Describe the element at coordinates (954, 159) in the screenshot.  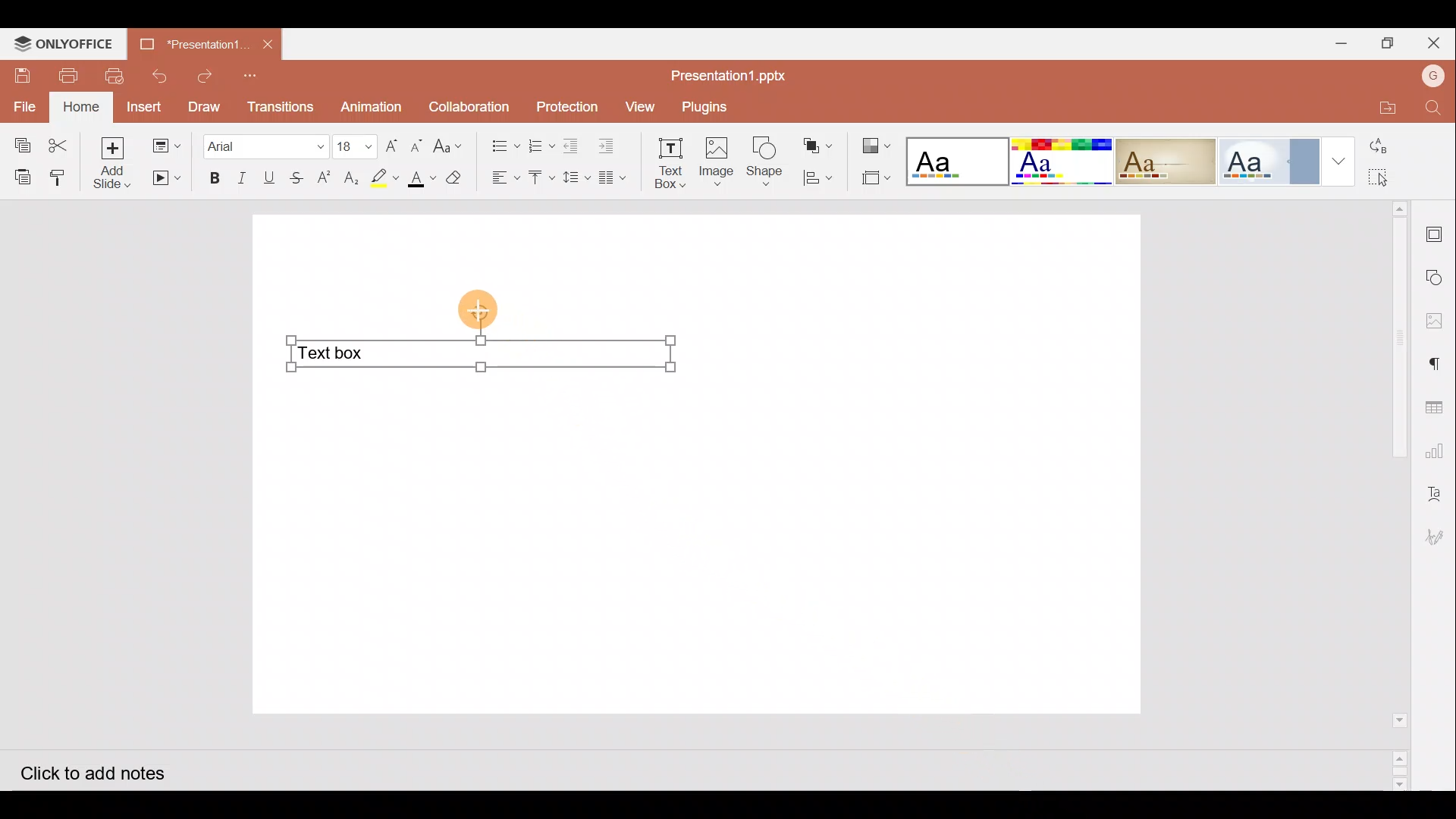
I see `Blank` at that location.